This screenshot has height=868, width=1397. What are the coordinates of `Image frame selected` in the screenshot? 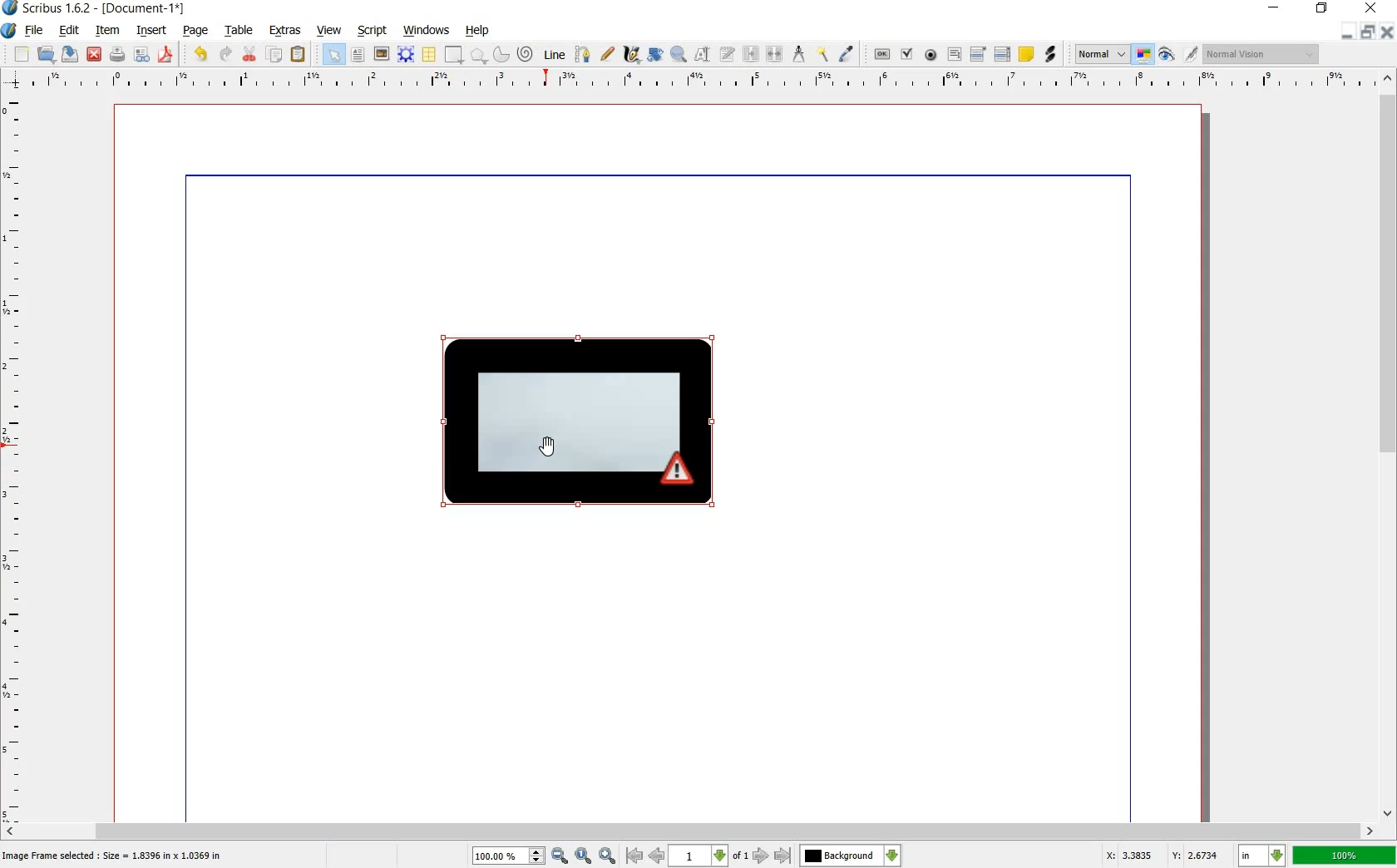 It's located at (115, 855).